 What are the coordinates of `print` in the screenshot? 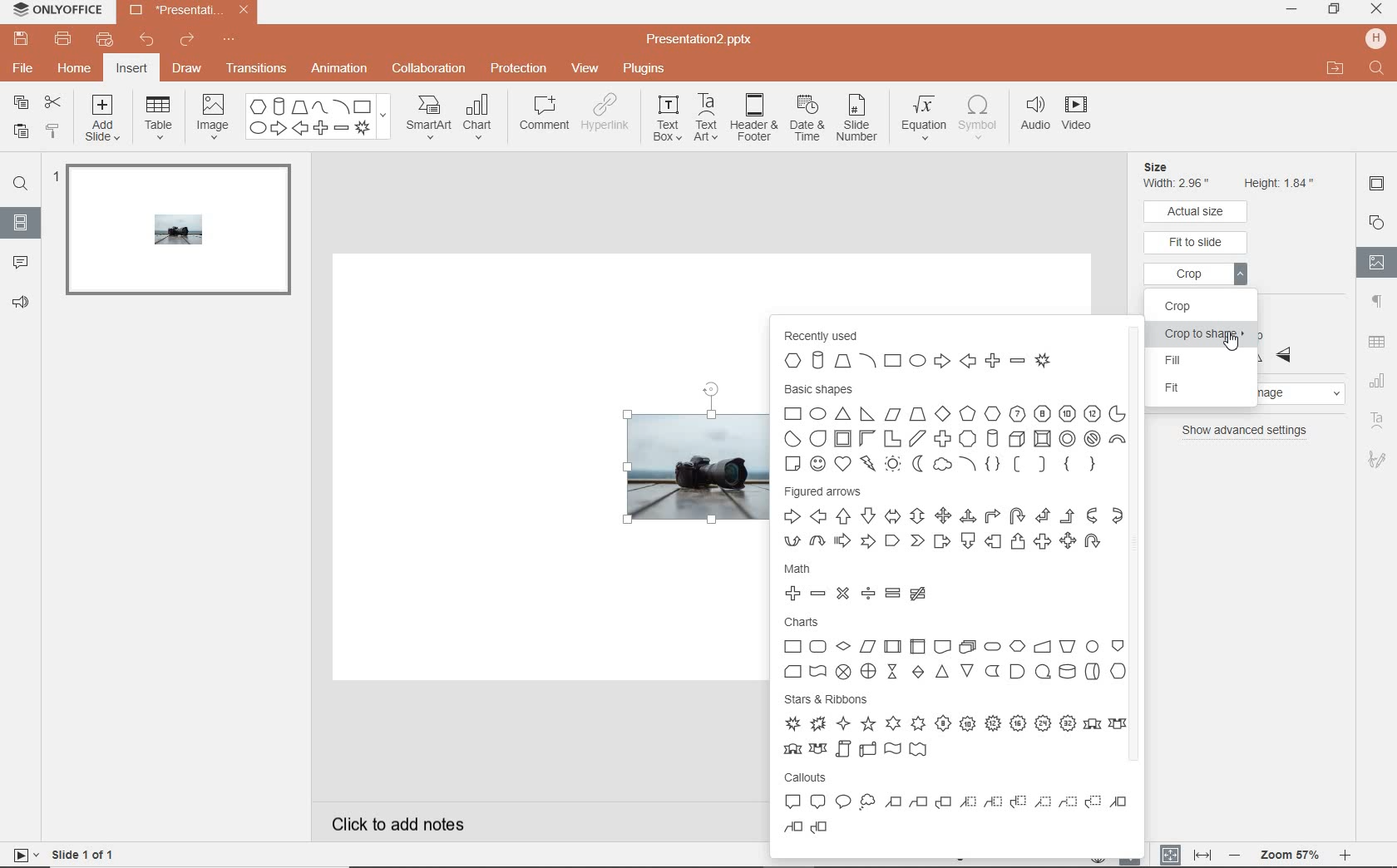 It's located at (64, 39).